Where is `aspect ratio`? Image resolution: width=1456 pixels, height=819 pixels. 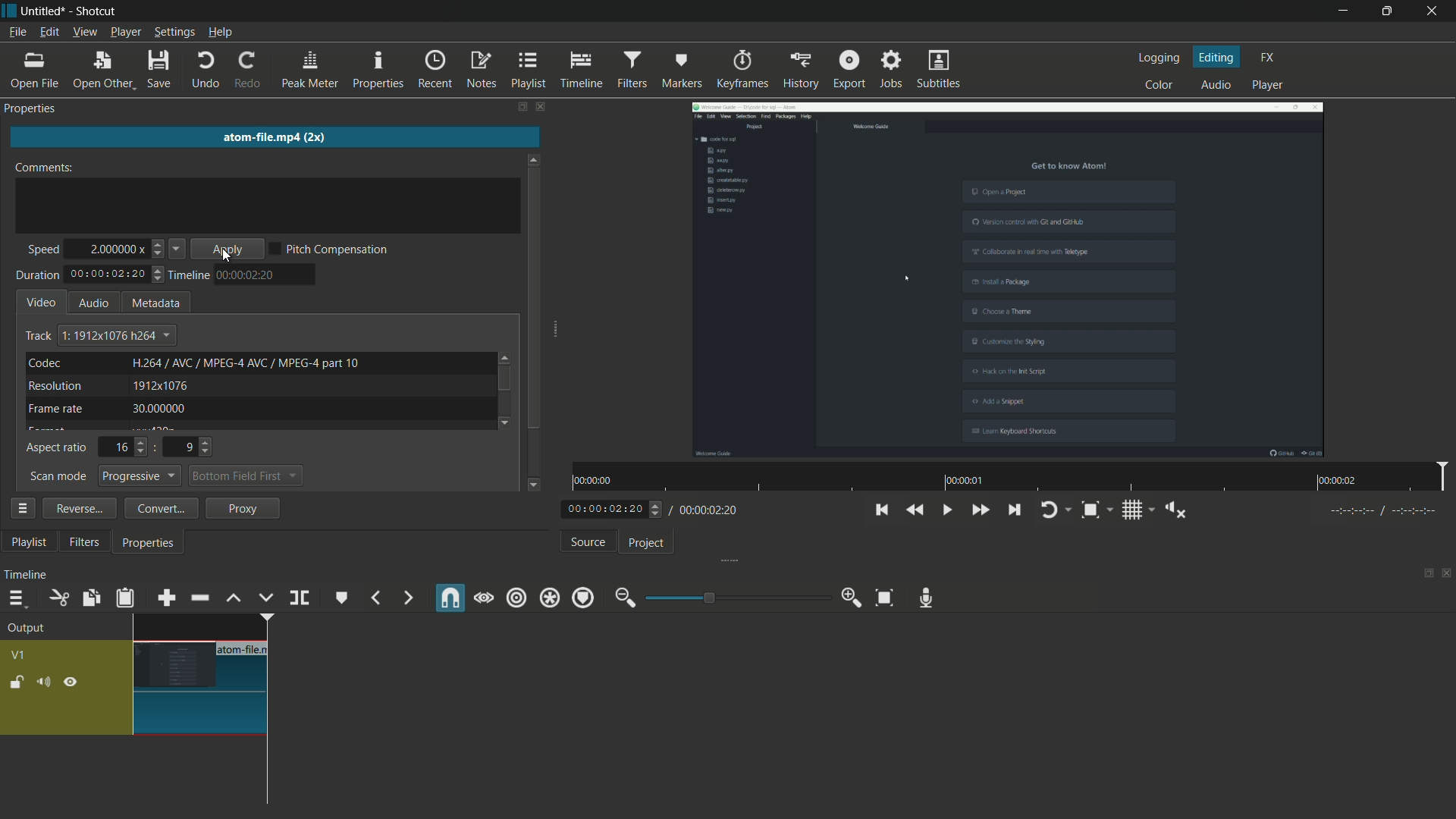
aspect ratio is located at coordinates (56, 448).